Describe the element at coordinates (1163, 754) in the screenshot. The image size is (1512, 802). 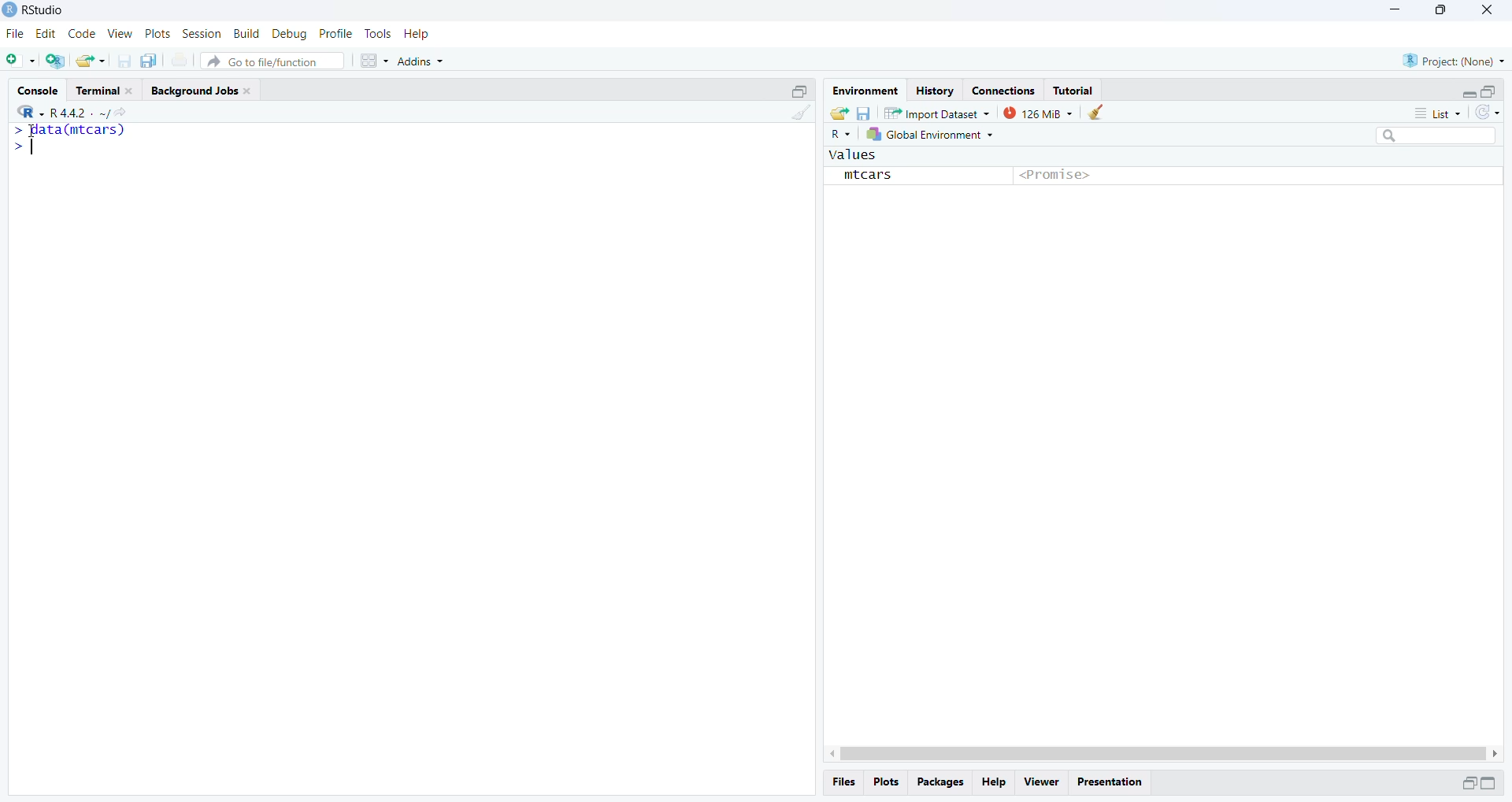
I see `Scrollbar` at that location.